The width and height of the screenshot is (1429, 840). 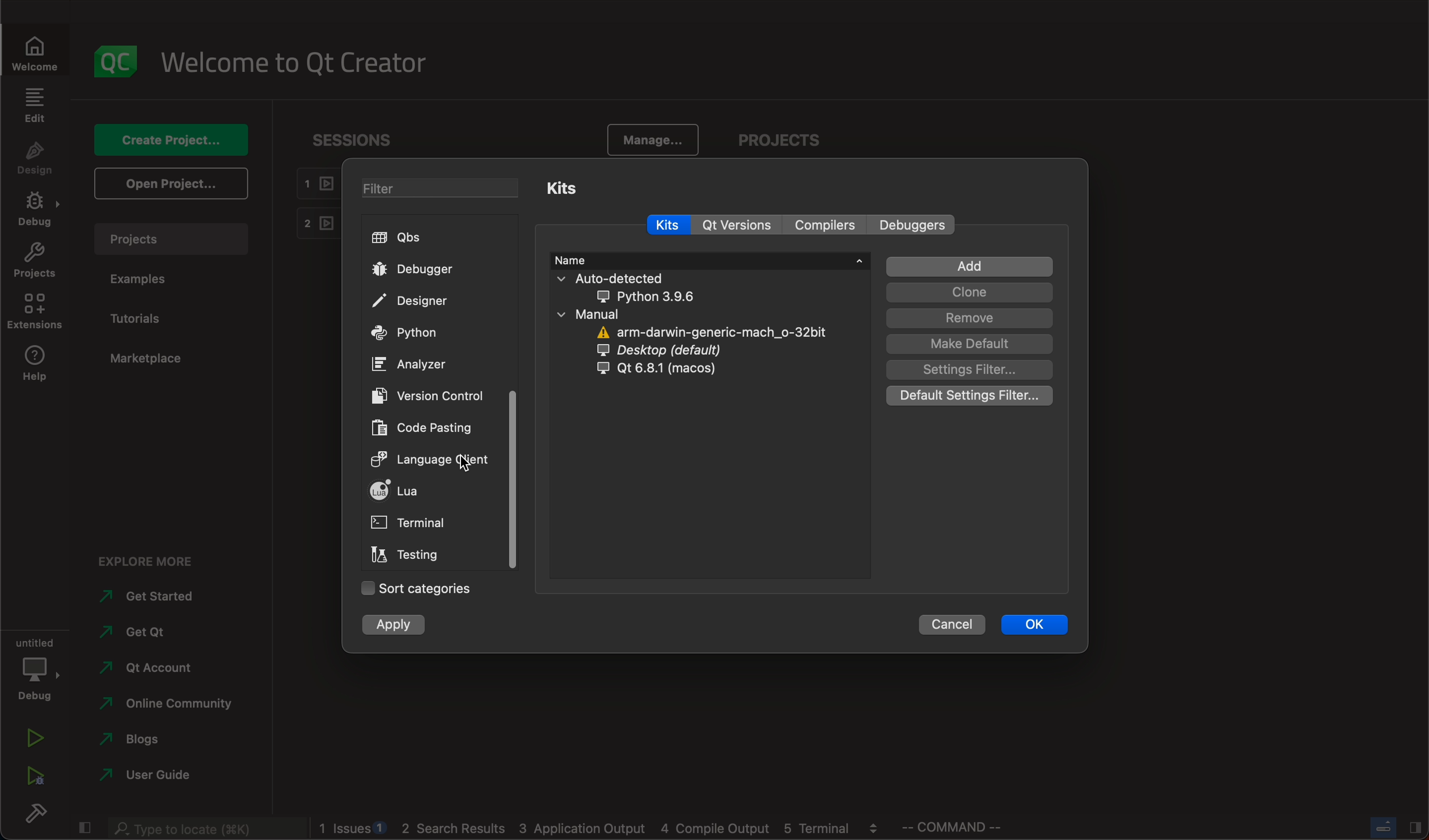 I want to click on debug, so click(x=36, y=210).